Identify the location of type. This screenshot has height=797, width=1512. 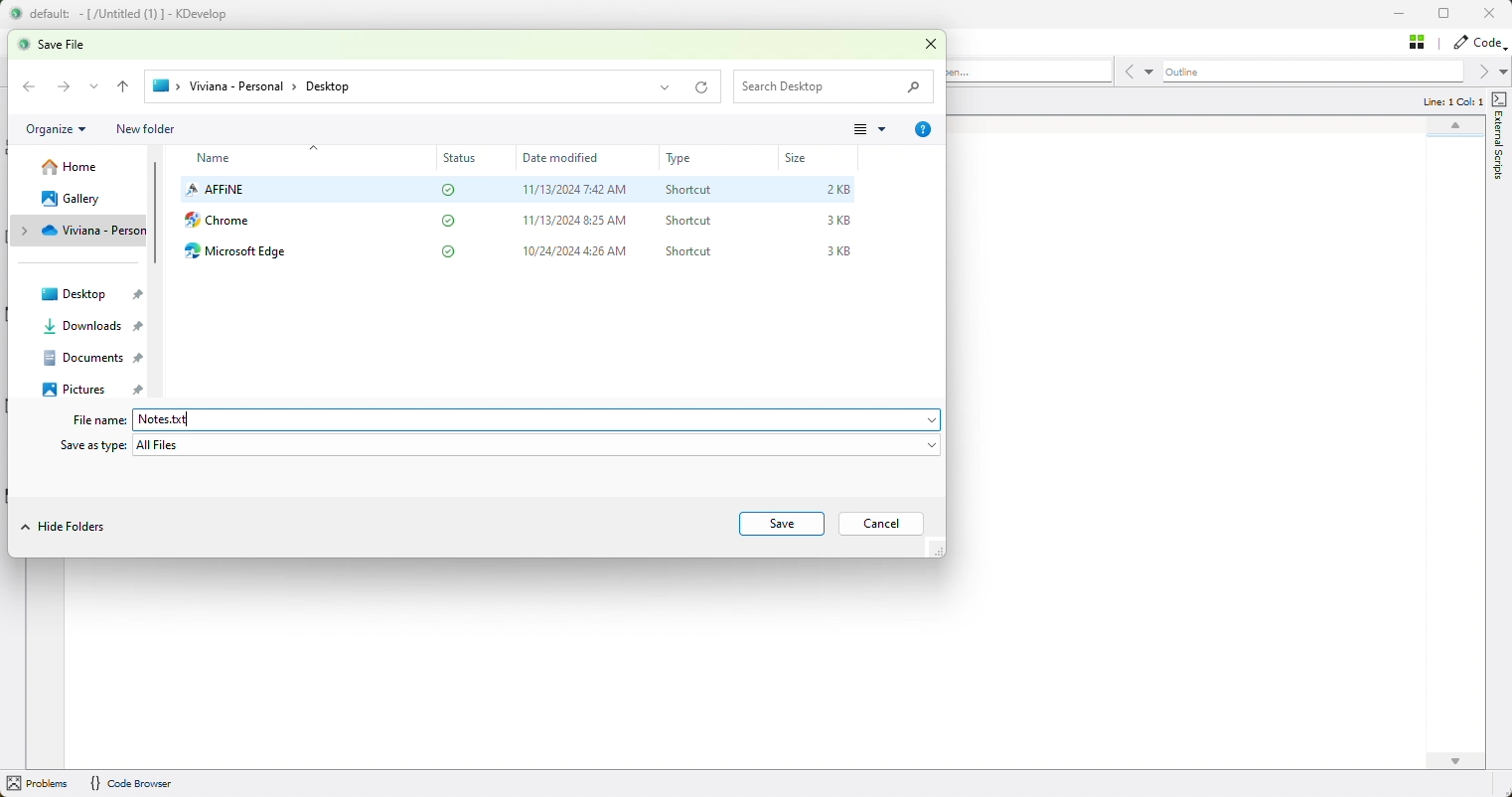
(684, 159).